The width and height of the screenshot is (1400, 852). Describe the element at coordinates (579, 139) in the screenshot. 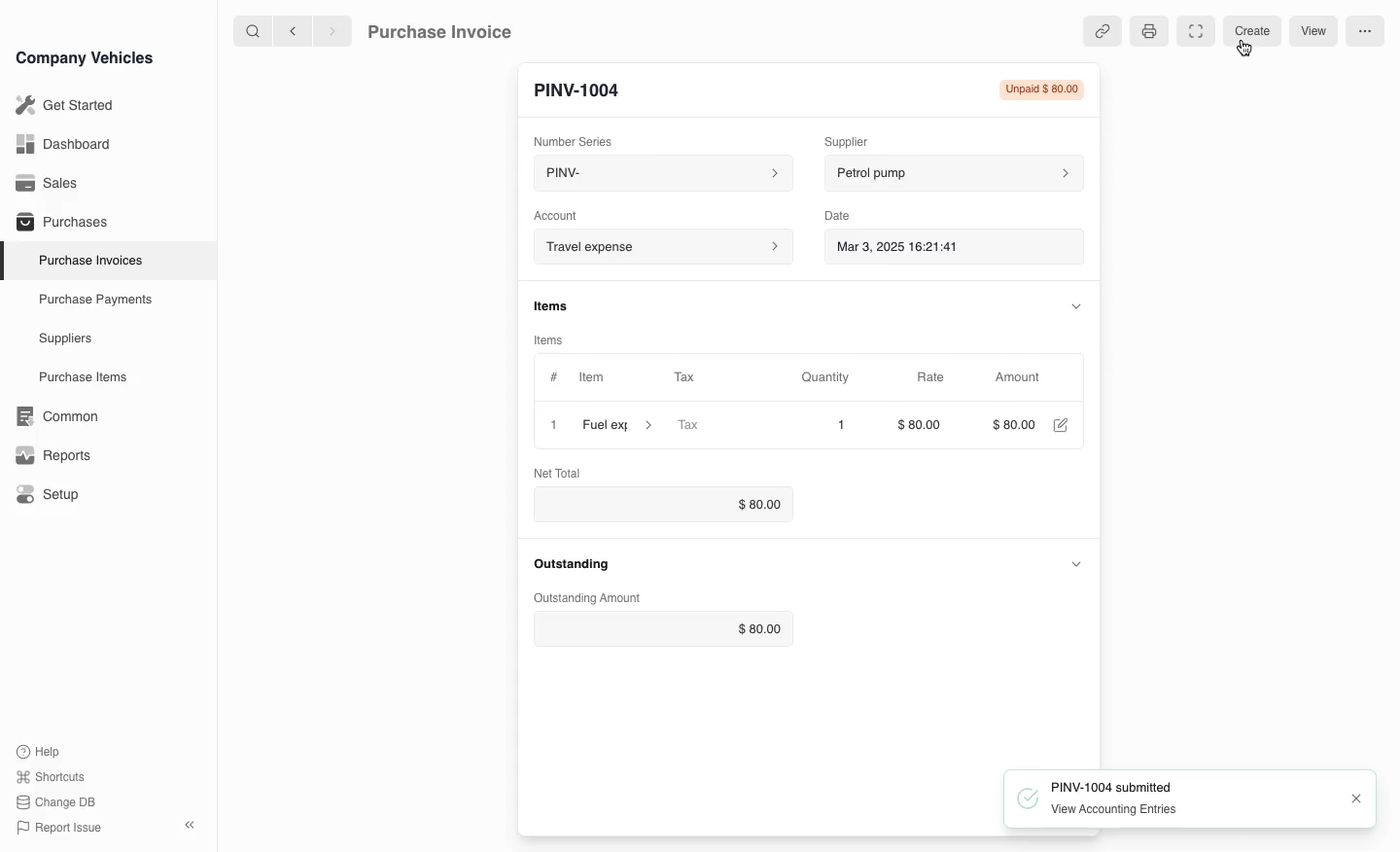

I see `Number Series` at that location.